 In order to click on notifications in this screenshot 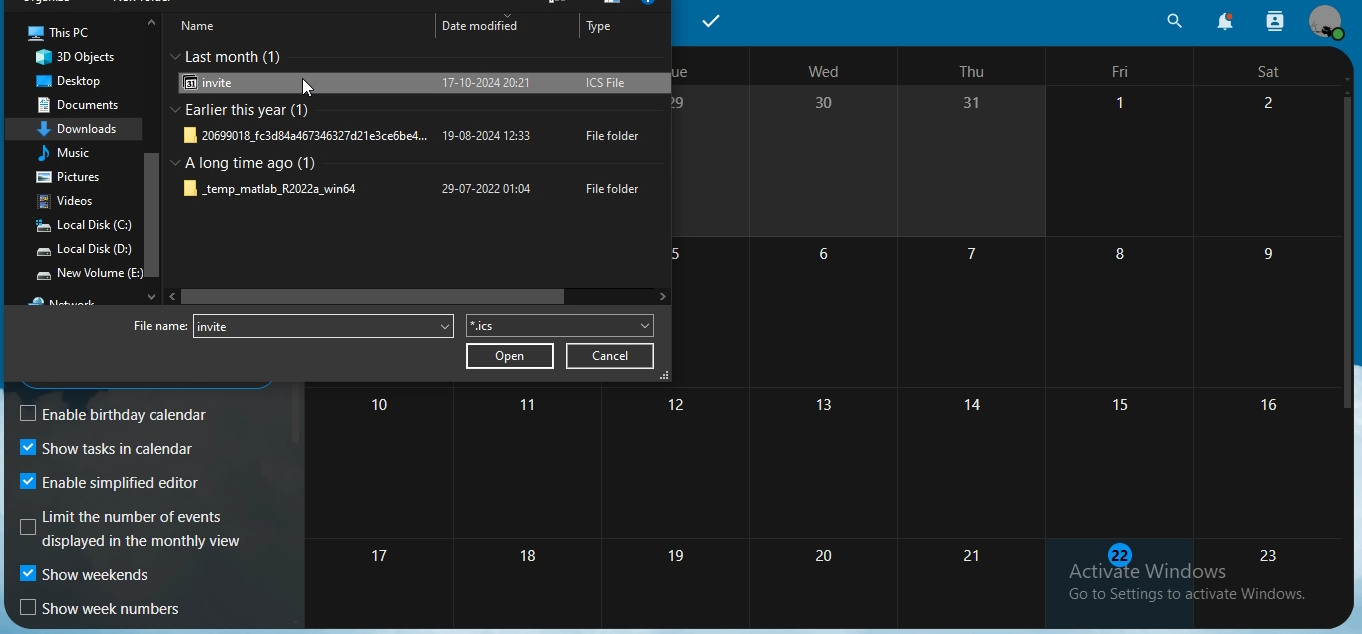, I will do `click(1222, 21)`.